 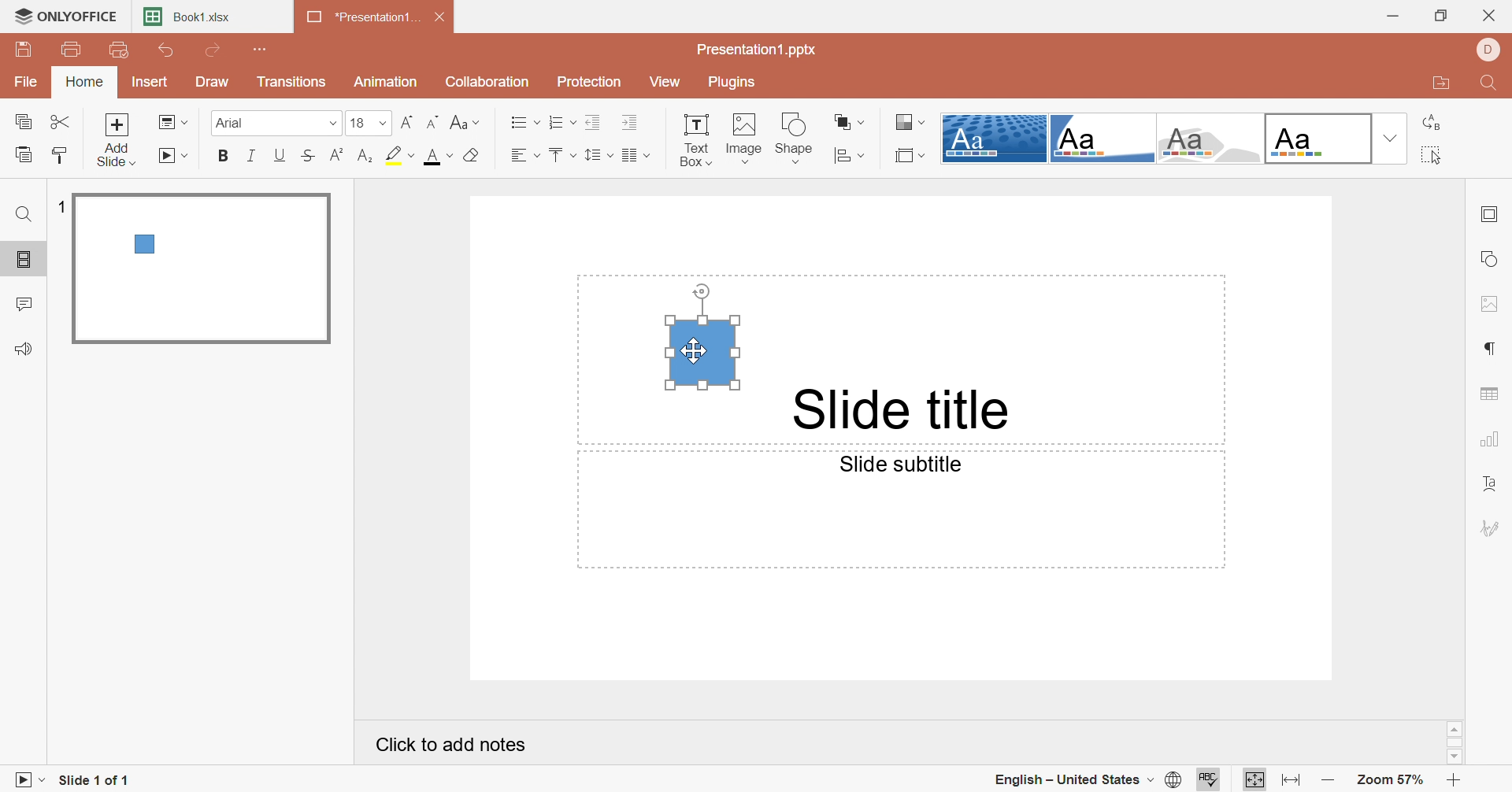 What do you see at coordinates (212, 83) in the screenshot?
I see `Draw` at bounding box center [212, 83].